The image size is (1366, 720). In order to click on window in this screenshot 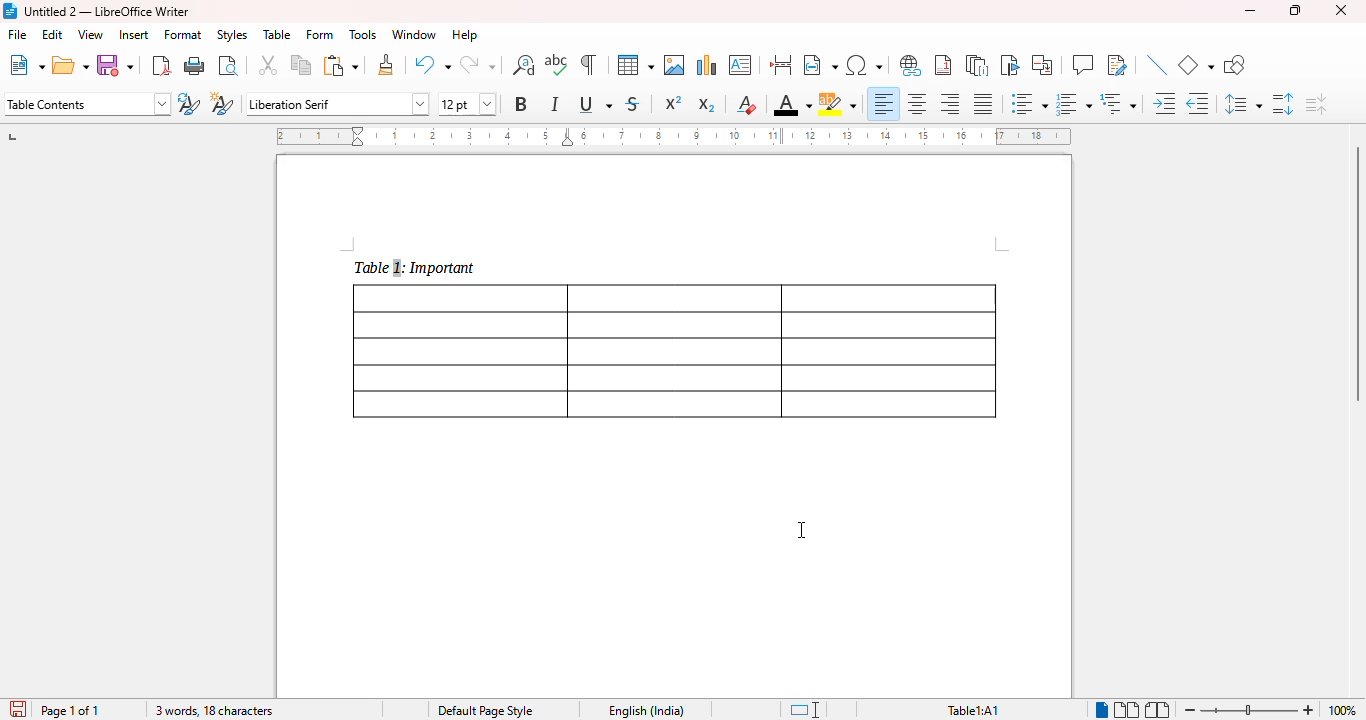, I will do `click(414, 34)`.